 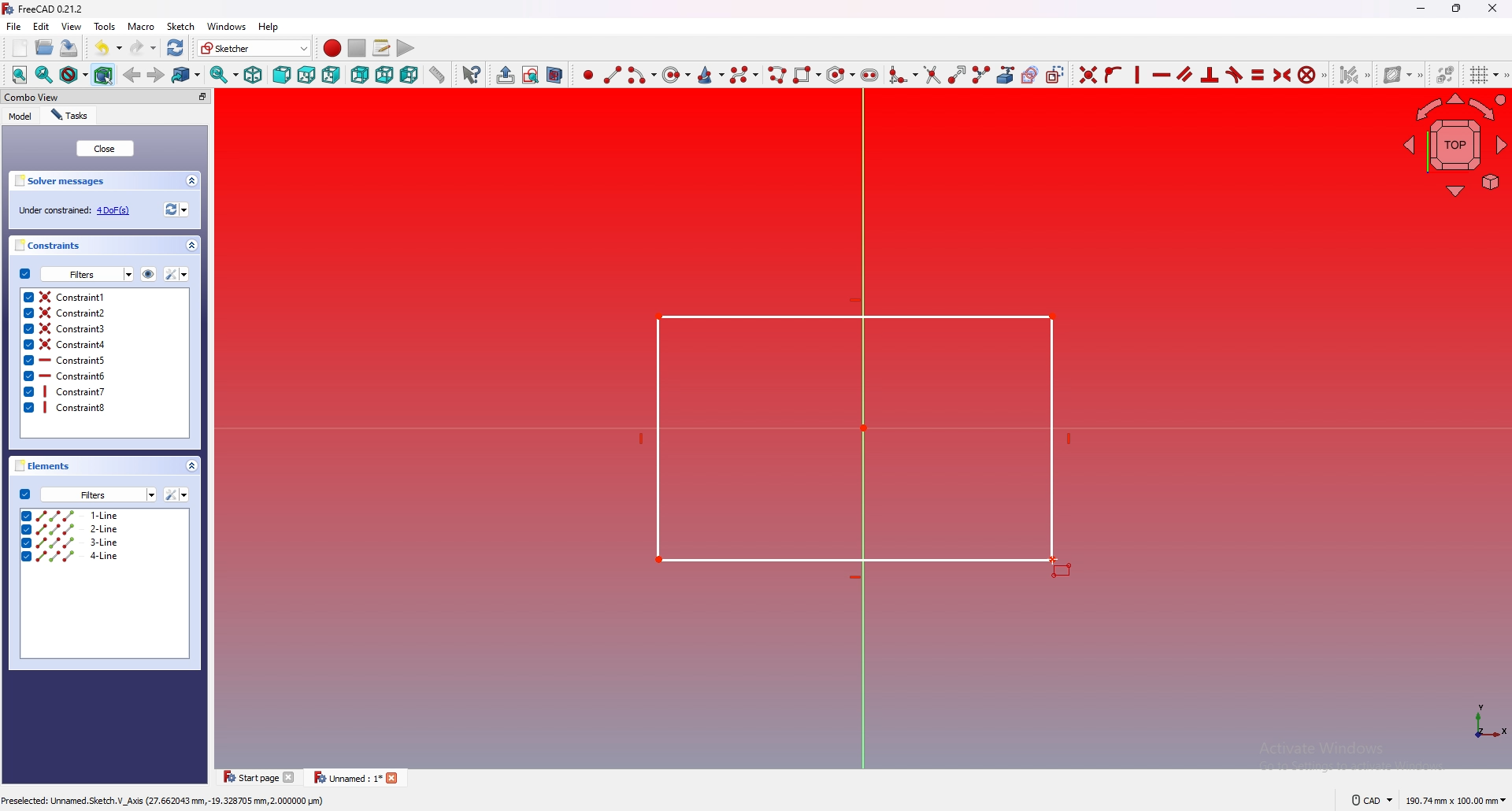 I want to click on draw style, so click(x=74, y=75).